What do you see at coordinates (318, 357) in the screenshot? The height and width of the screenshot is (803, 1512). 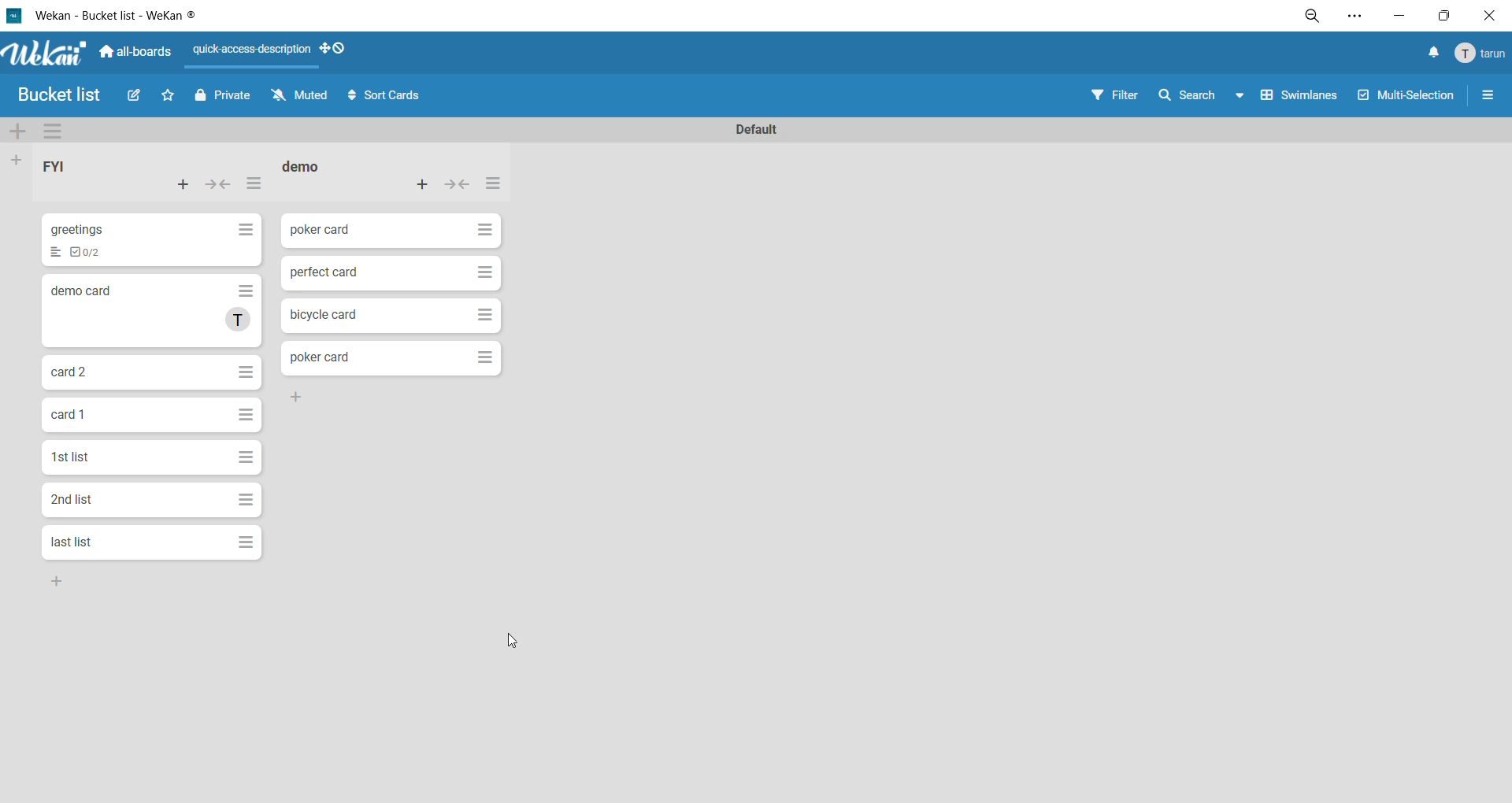 I see `poker card` at bounding box center [318, 357].